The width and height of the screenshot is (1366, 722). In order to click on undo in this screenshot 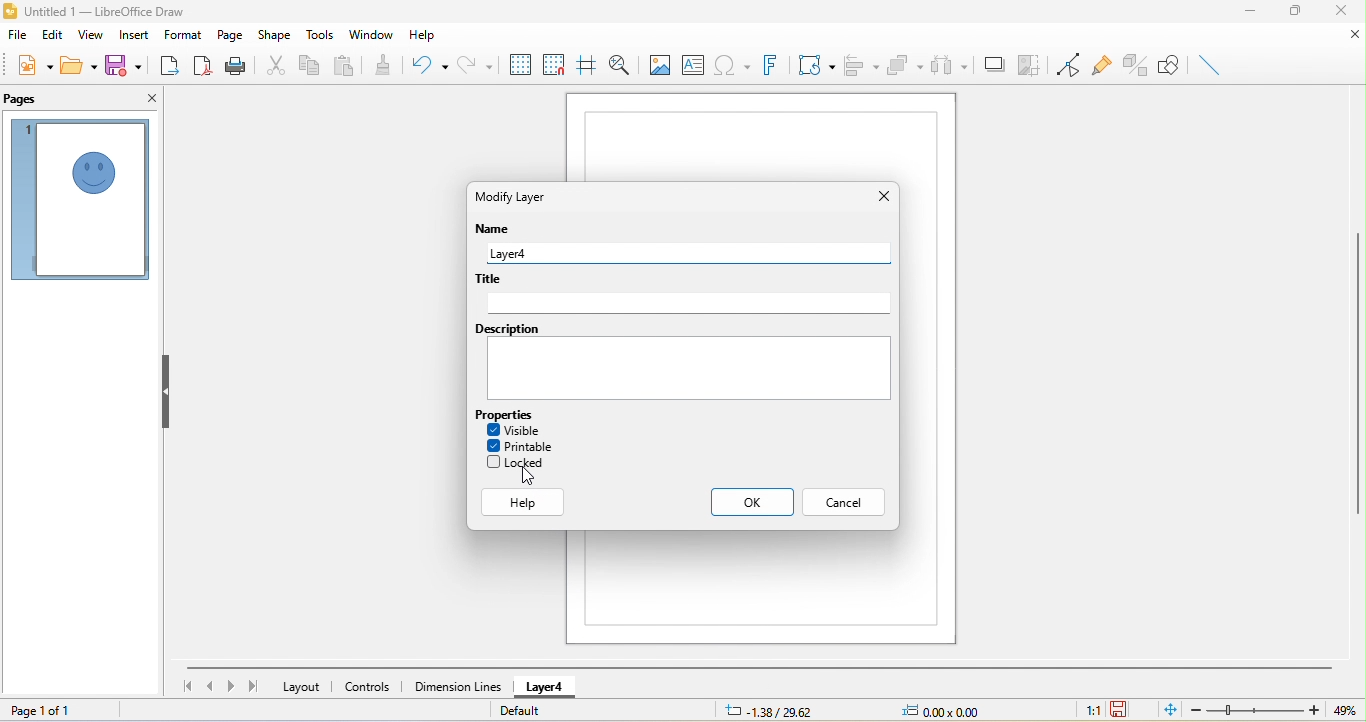, I will do `click(430, 67)`.